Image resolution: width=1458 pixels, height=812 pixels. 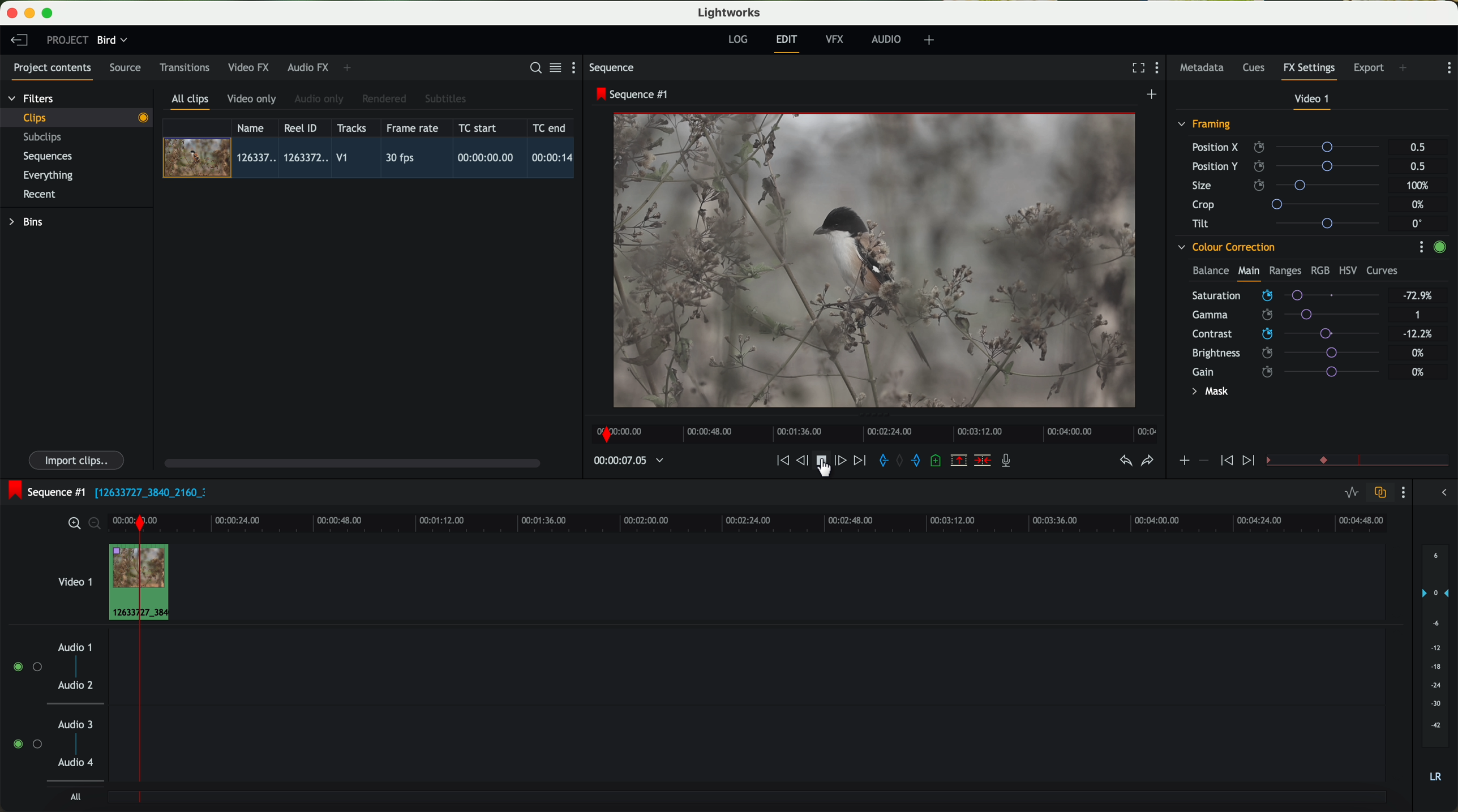 I want to click on framing, so click(x=1205, y=126).